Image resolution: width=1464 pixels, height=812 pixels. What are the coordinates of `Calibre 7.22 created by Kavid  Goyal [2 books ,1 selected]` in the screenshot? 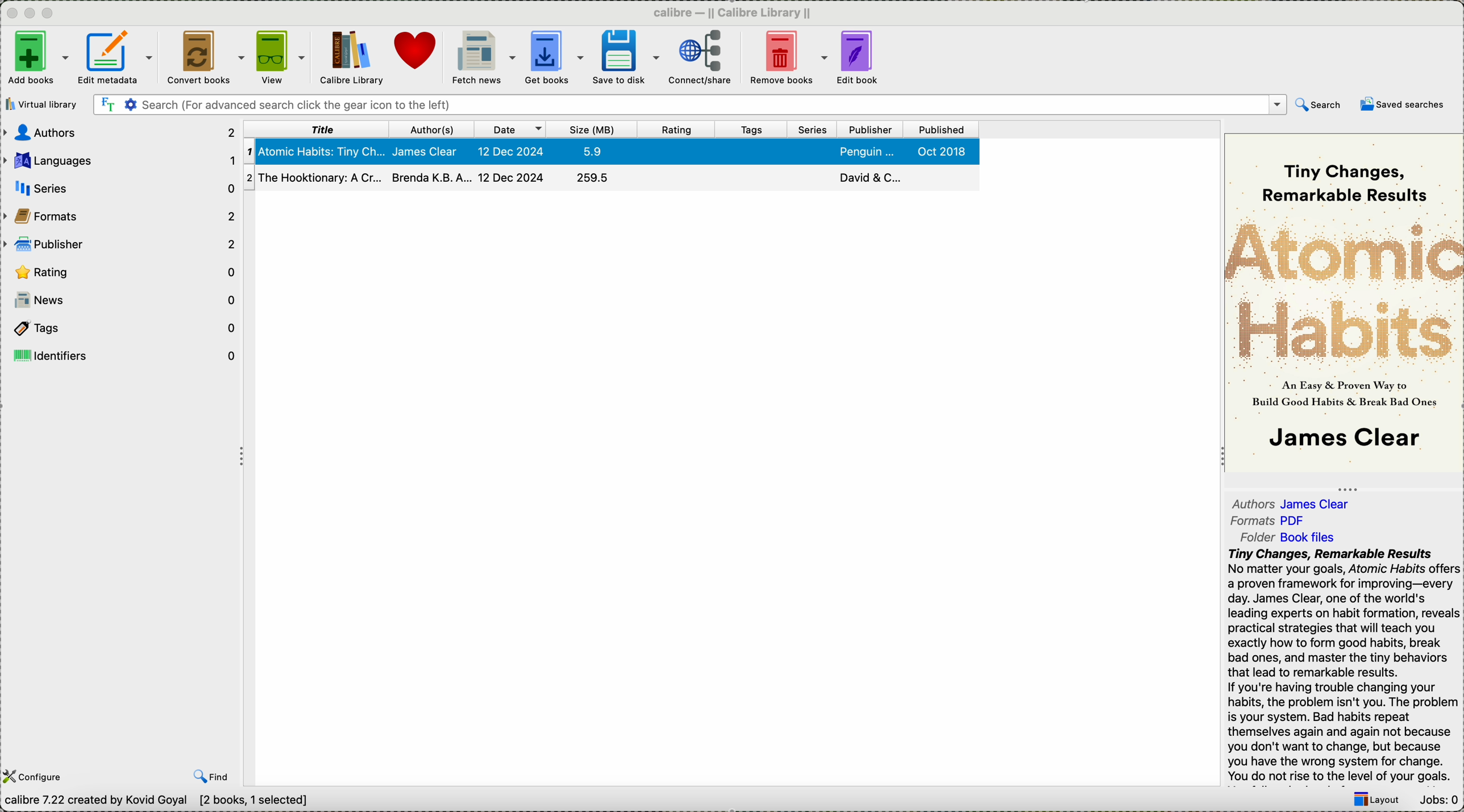 It's located at (160, 802).